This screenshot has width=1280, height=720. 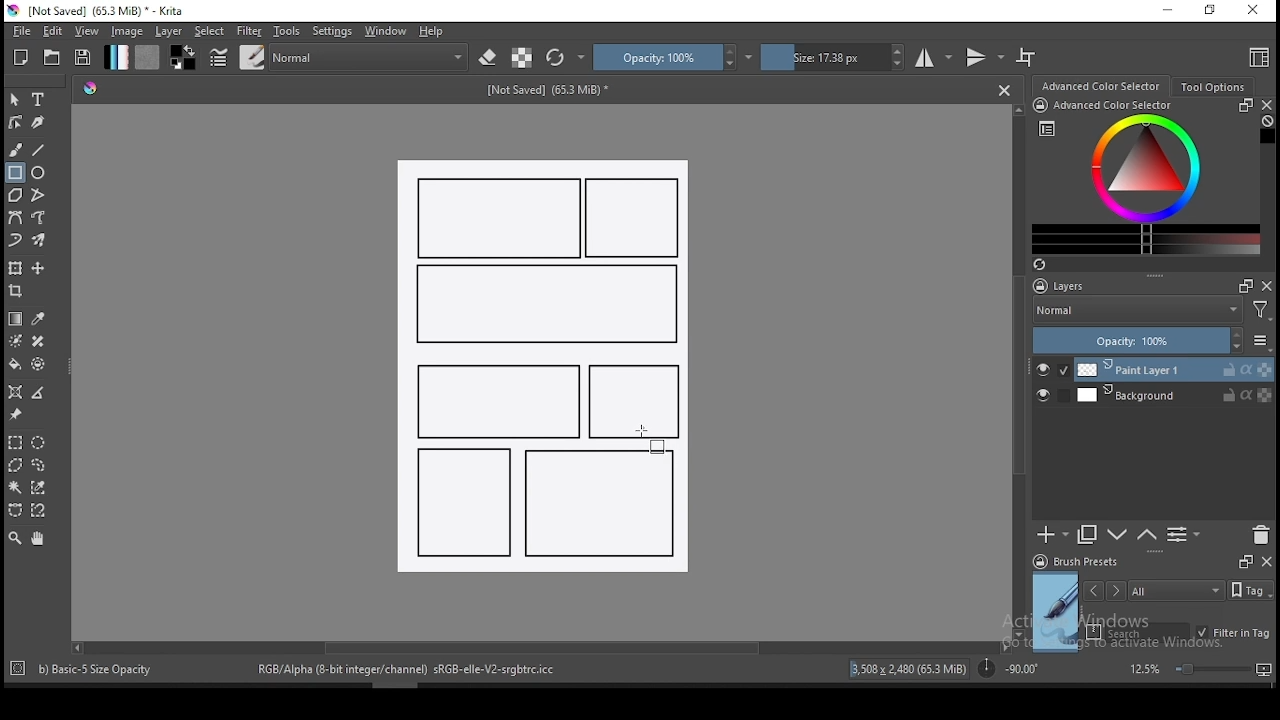 What do you see at coordinates (52, 57) in the screenshot?
I see `open` at bounding box center [52, 57].